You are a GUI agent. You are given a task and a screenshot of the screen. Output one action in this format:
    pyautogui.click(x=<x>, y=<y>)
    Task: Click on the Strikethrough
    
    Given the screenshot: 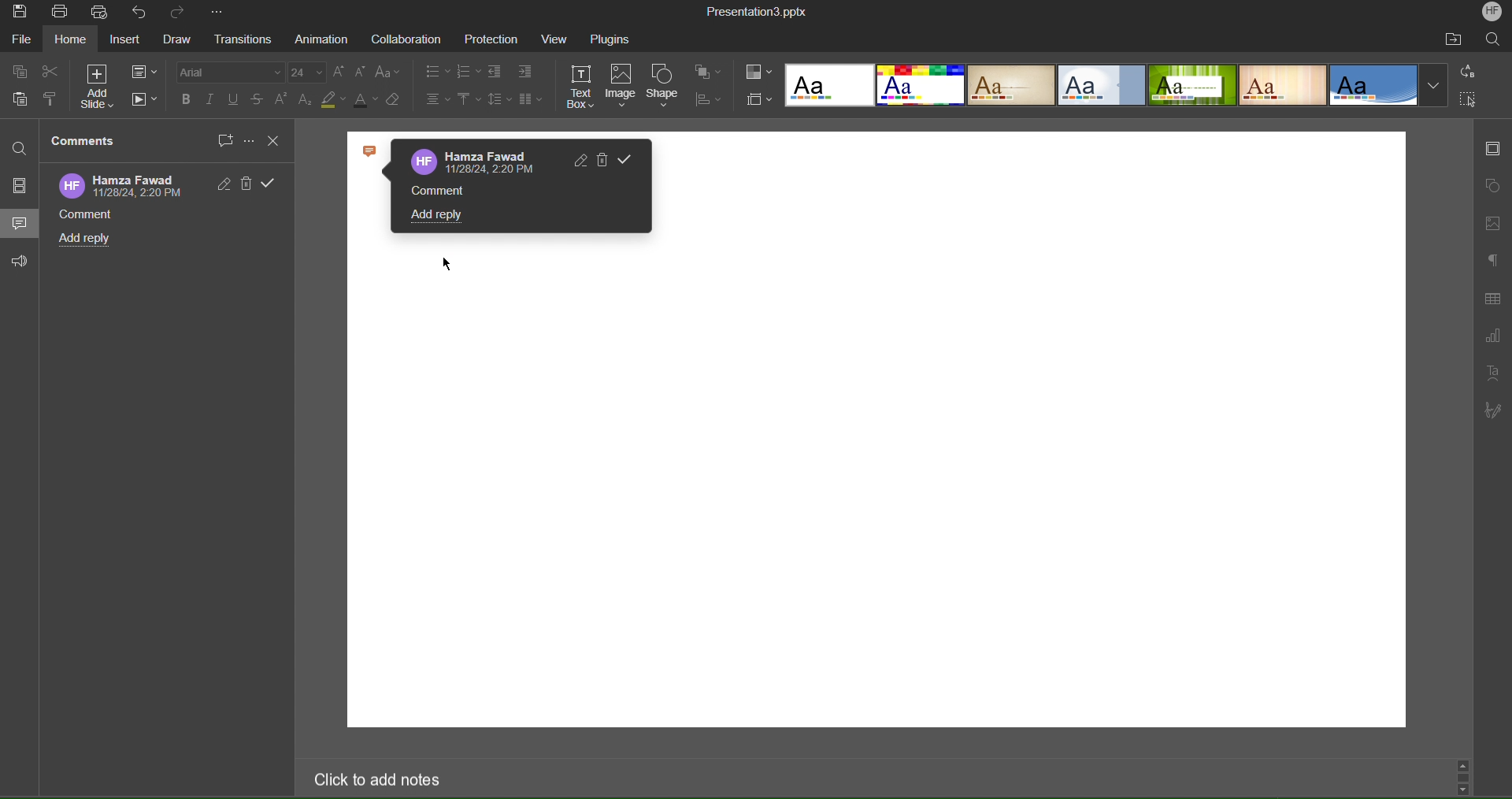 What is the action you would take?
    pyautogui.click(x=258, y=100)
    